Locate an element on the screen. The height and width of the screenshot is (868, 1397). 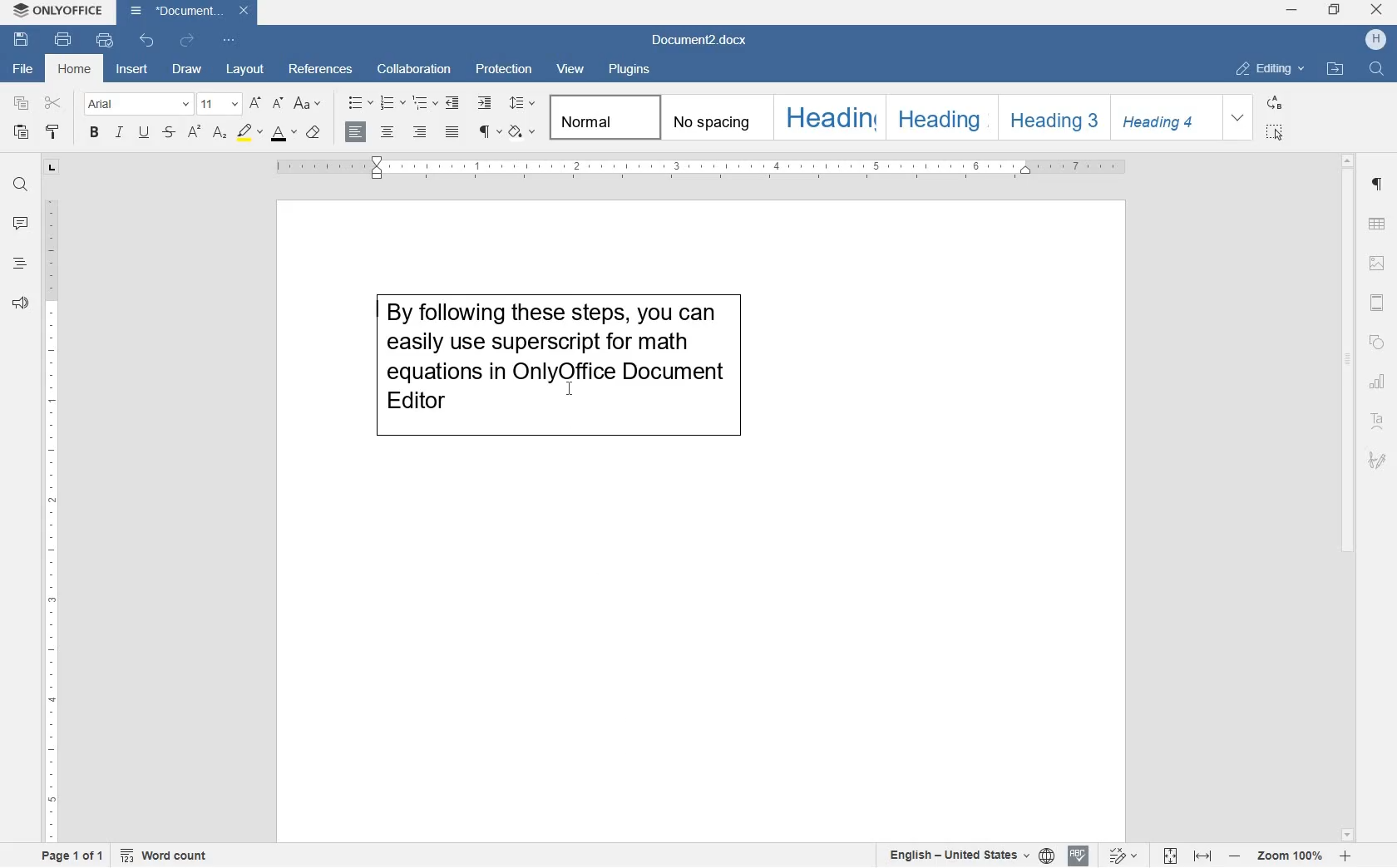
increment font size is located at coordinates (254, 104).